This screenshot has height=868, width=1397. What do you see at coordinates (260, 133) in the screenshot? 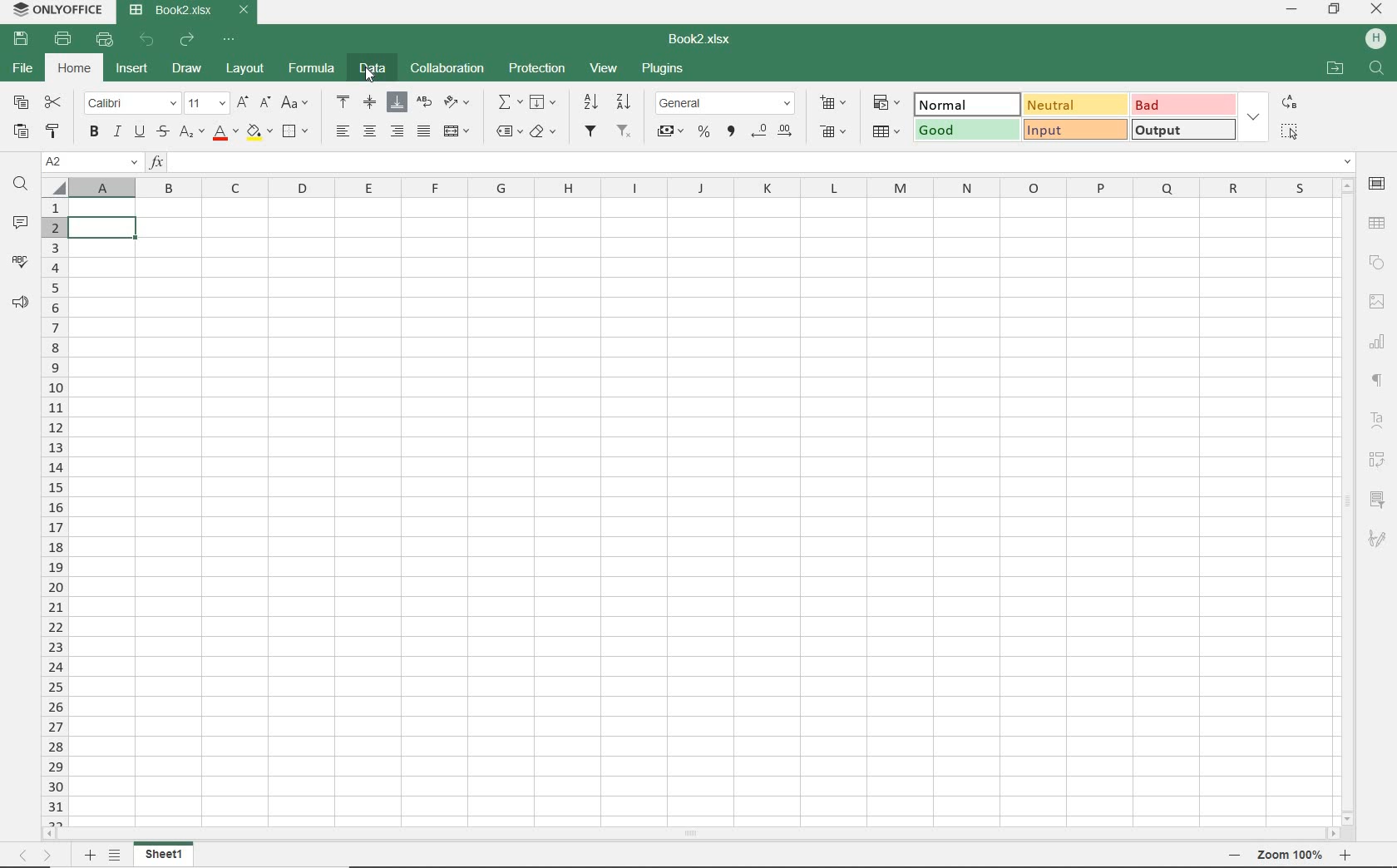
I see `FILL COLOR` at bounding box center [260, 133].